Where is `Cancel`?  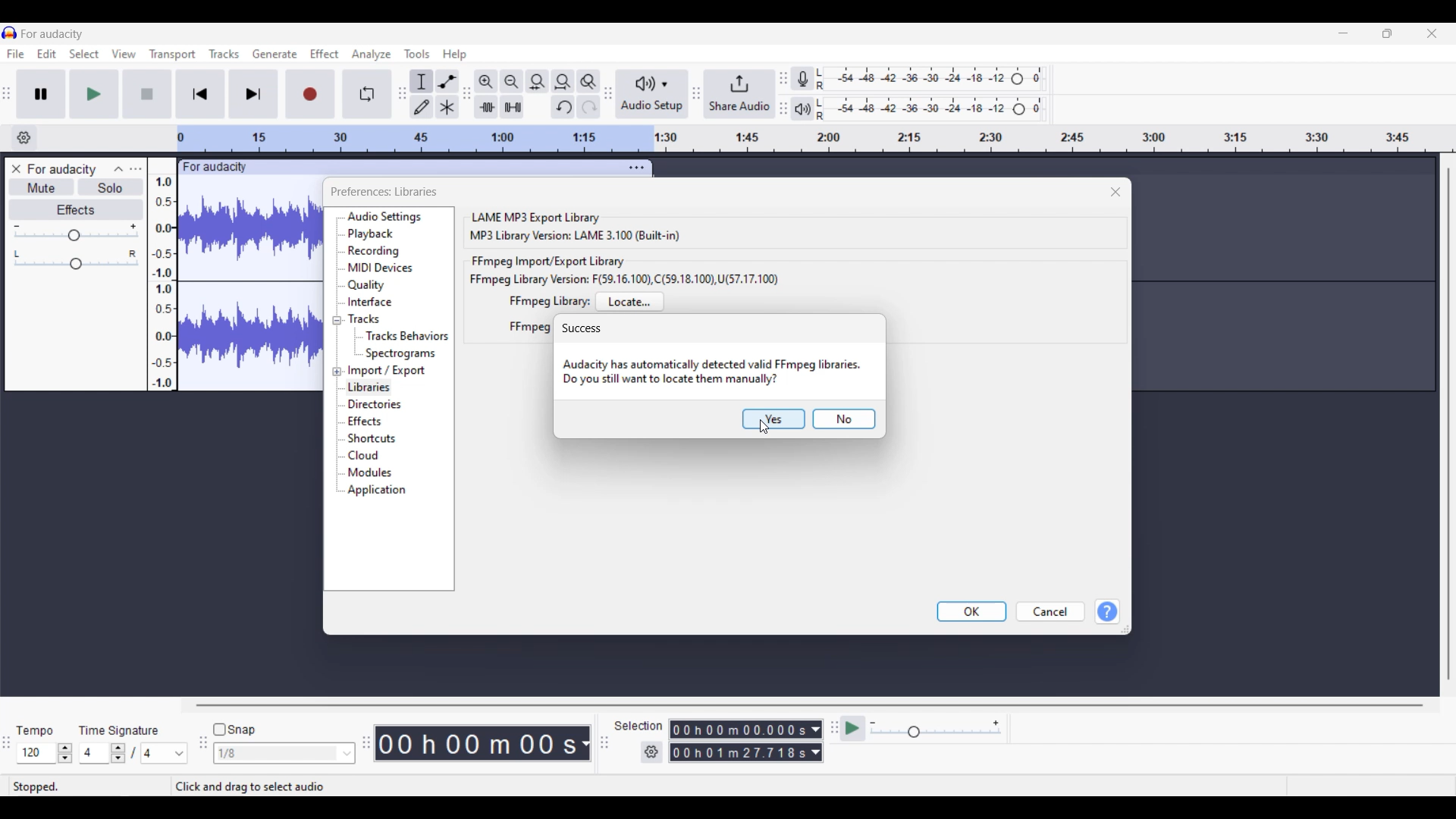
Cancel is located at coordinates (1050, 611).